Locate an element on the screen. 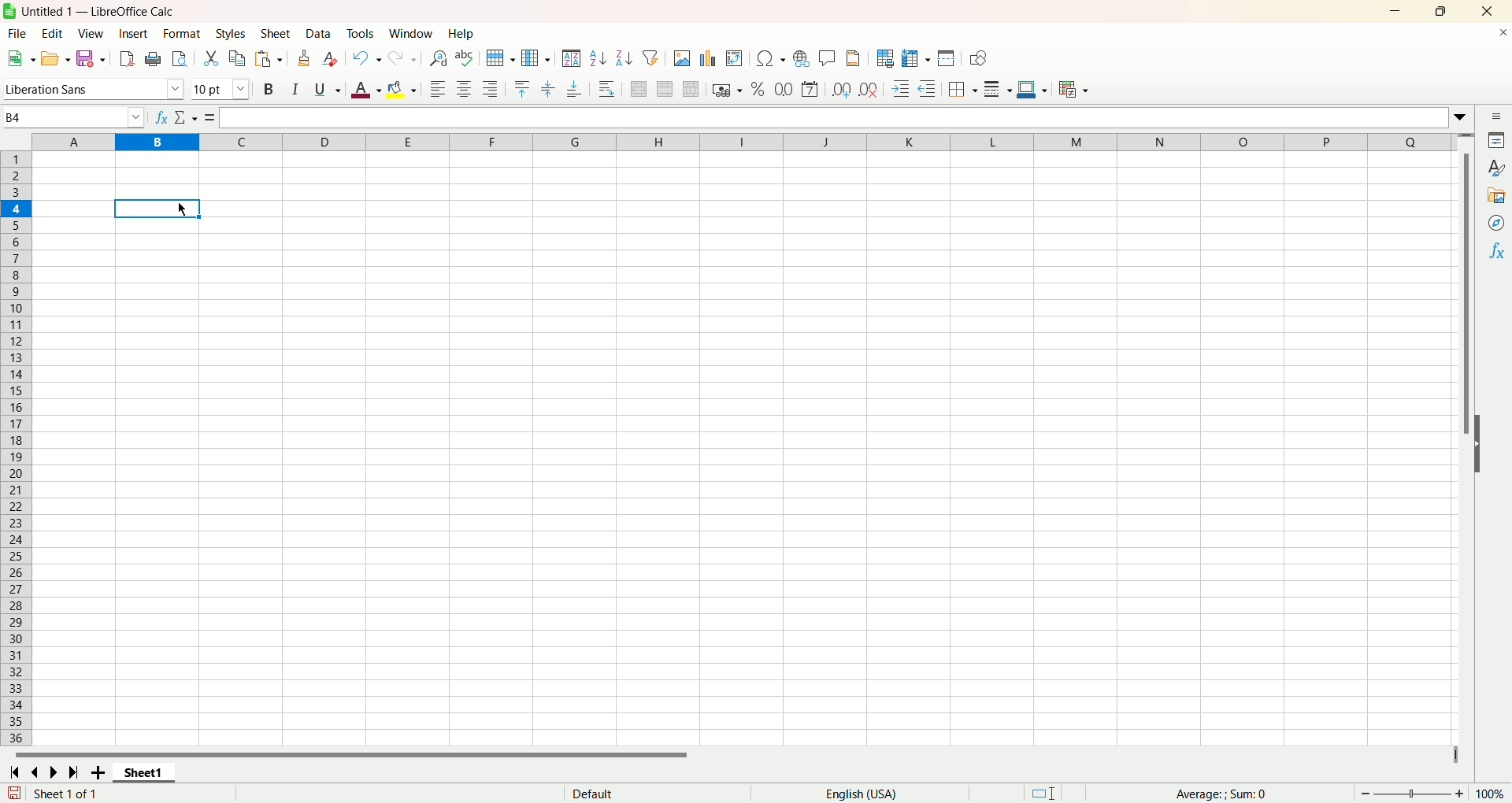 Image resolution: width=1512 pixels, height=803 pixels. header and footer is located at coordinates (854, 60).